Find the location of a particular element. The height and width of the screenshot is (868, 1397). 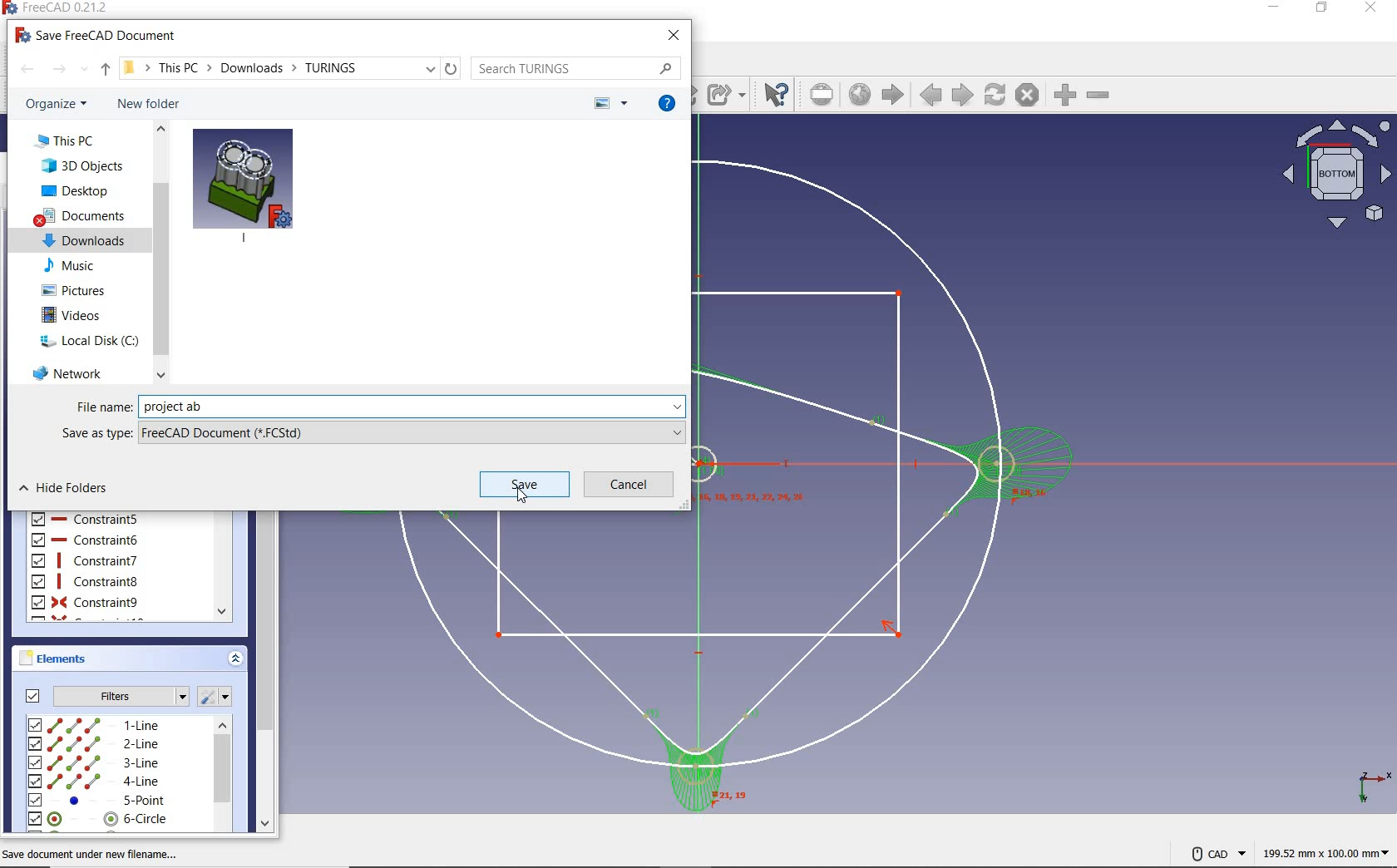

music is located at coordinates (68, 265).